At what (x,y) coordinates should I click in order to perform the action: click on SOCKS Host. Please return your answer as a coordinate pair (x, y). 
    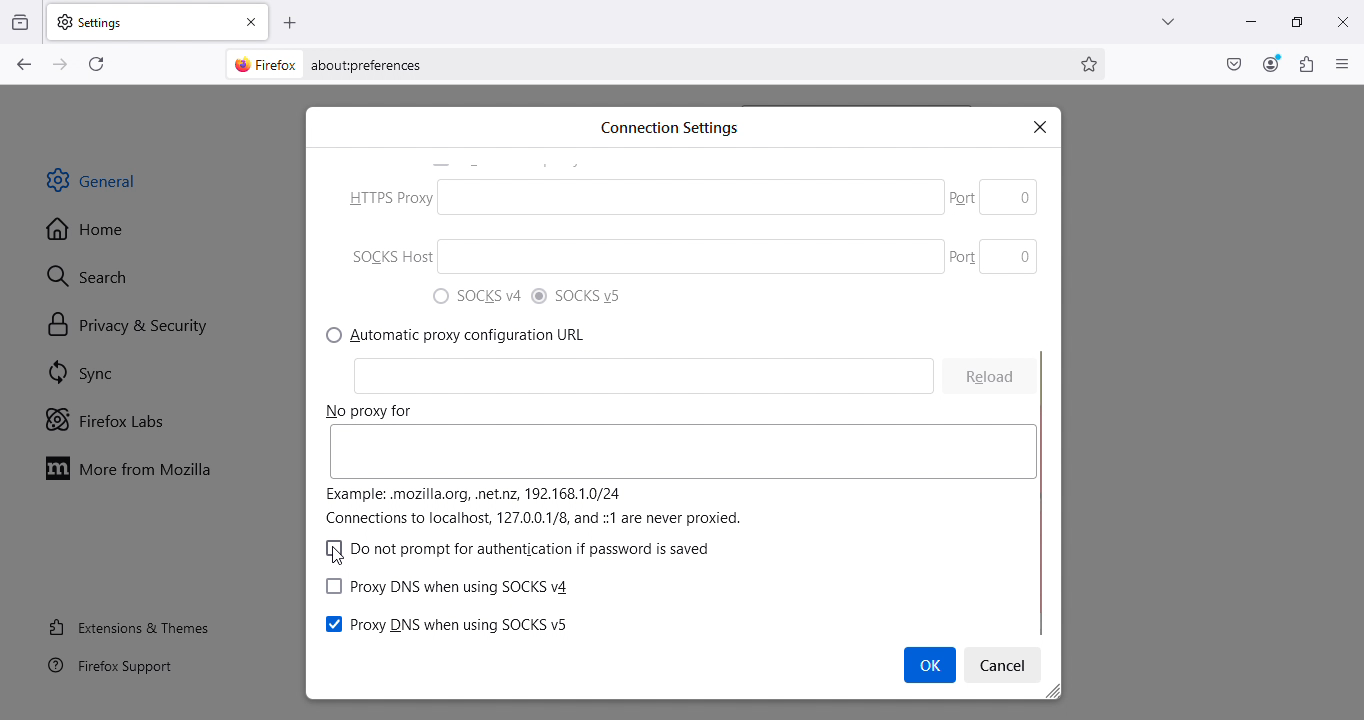
    Looking at the image, I should click on (625, 488).